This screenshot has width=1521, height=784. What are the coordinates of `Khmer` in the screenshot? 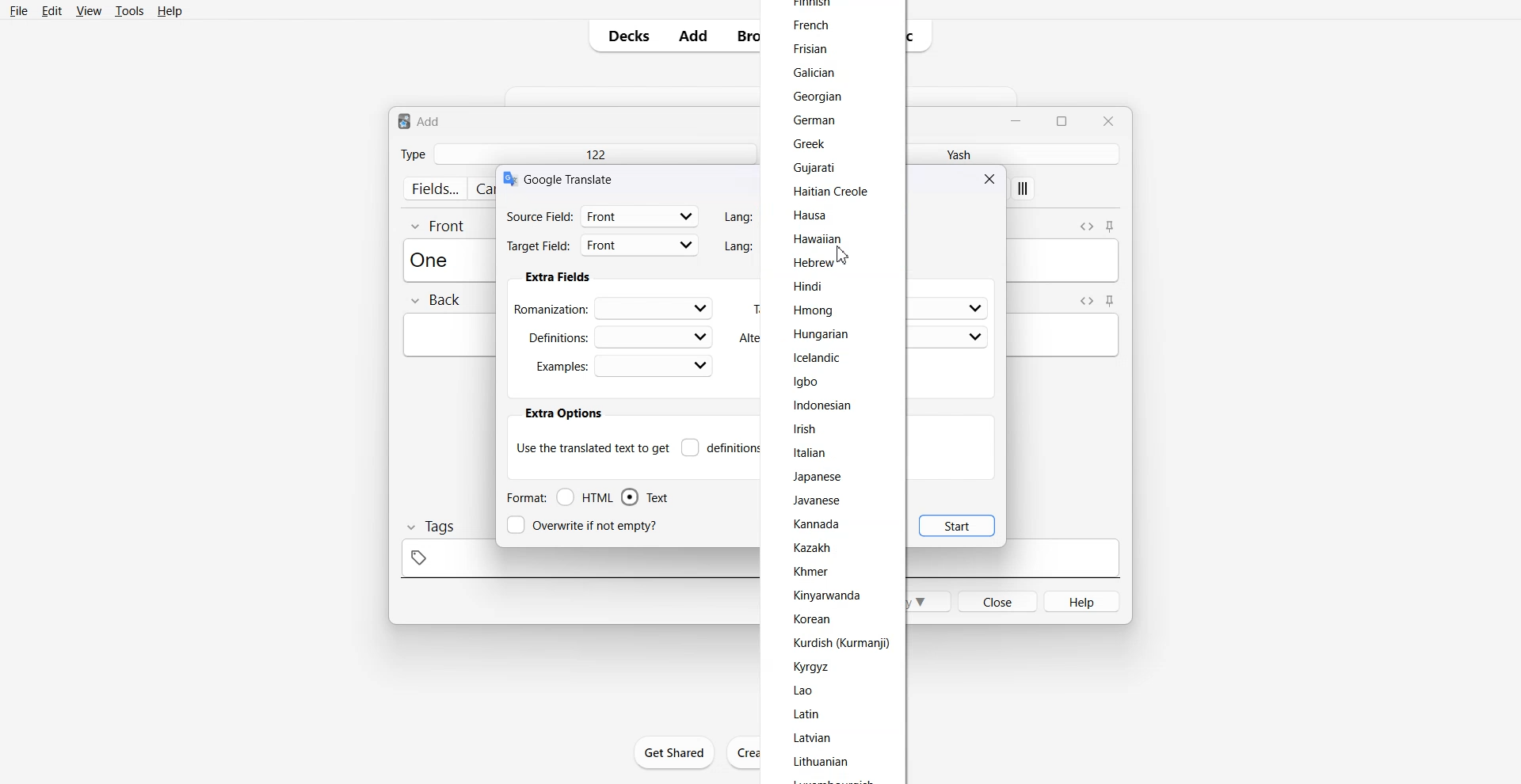 It's located at (812, 570).